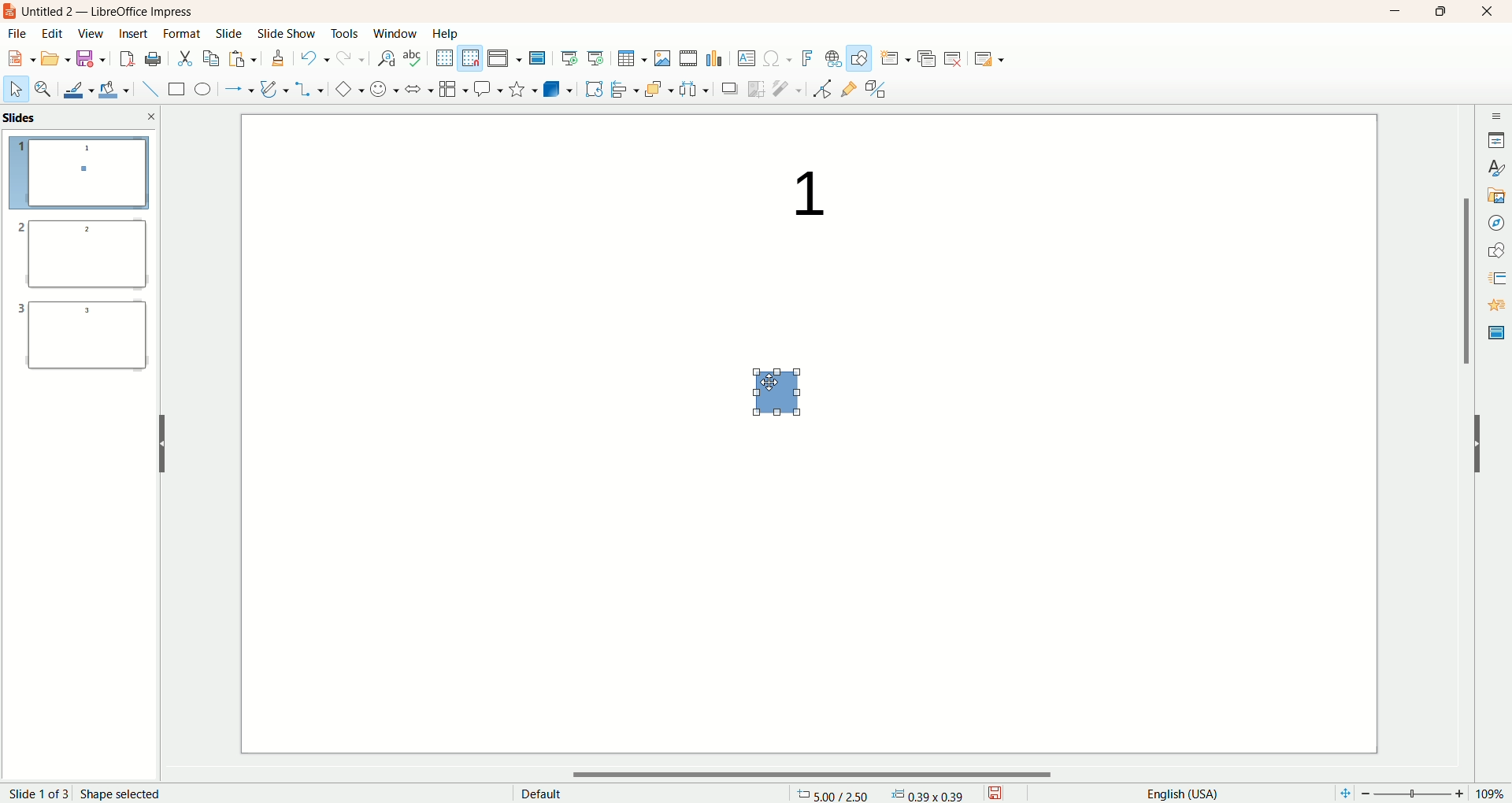 This screenshot has width=1512, height=803. Describe the element at coordinates (654, 87) in the screenshot. I see `arrange` at that location.